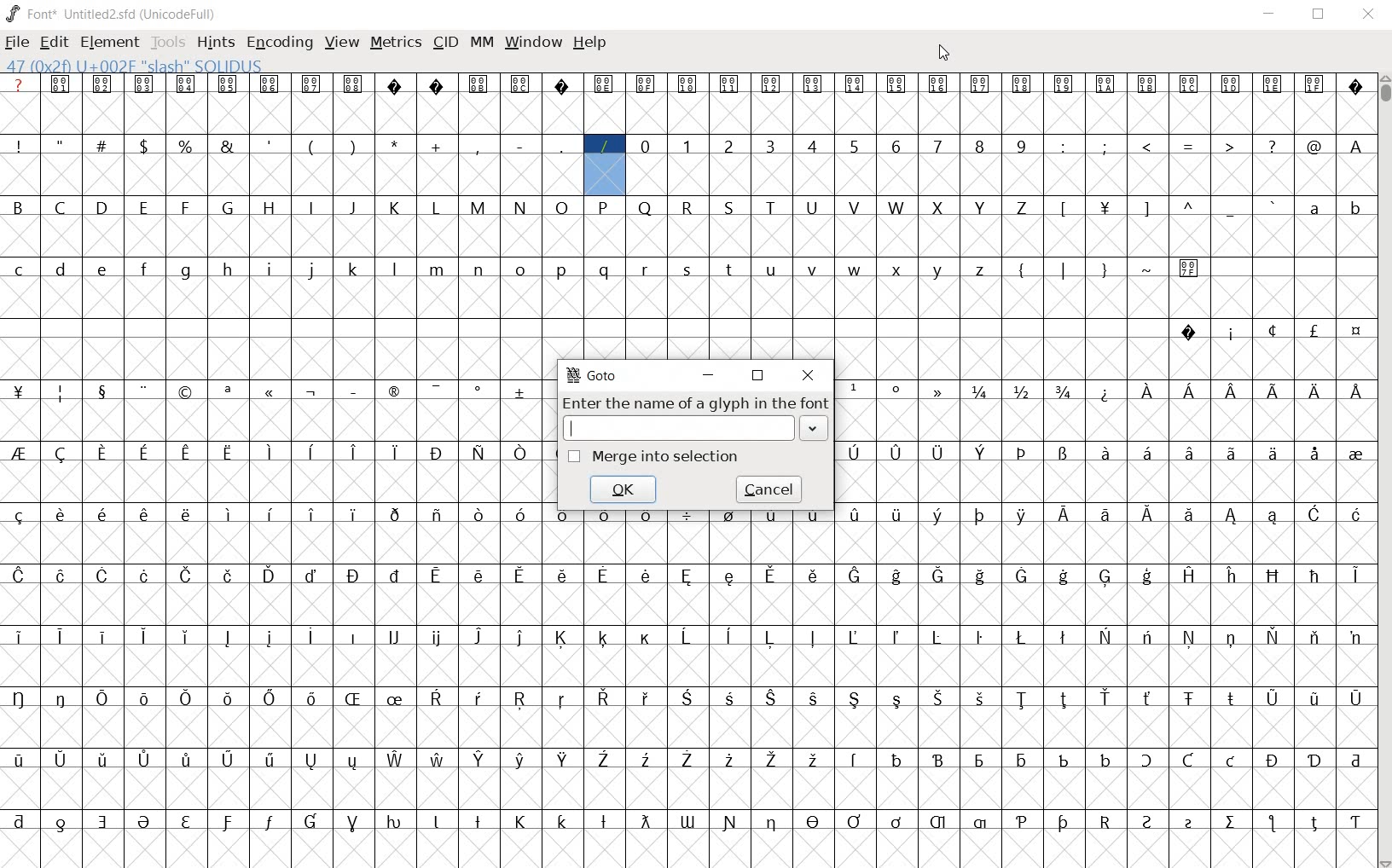 The image size is (1392, 868). I want to click on glyph, so click(1355, 761).